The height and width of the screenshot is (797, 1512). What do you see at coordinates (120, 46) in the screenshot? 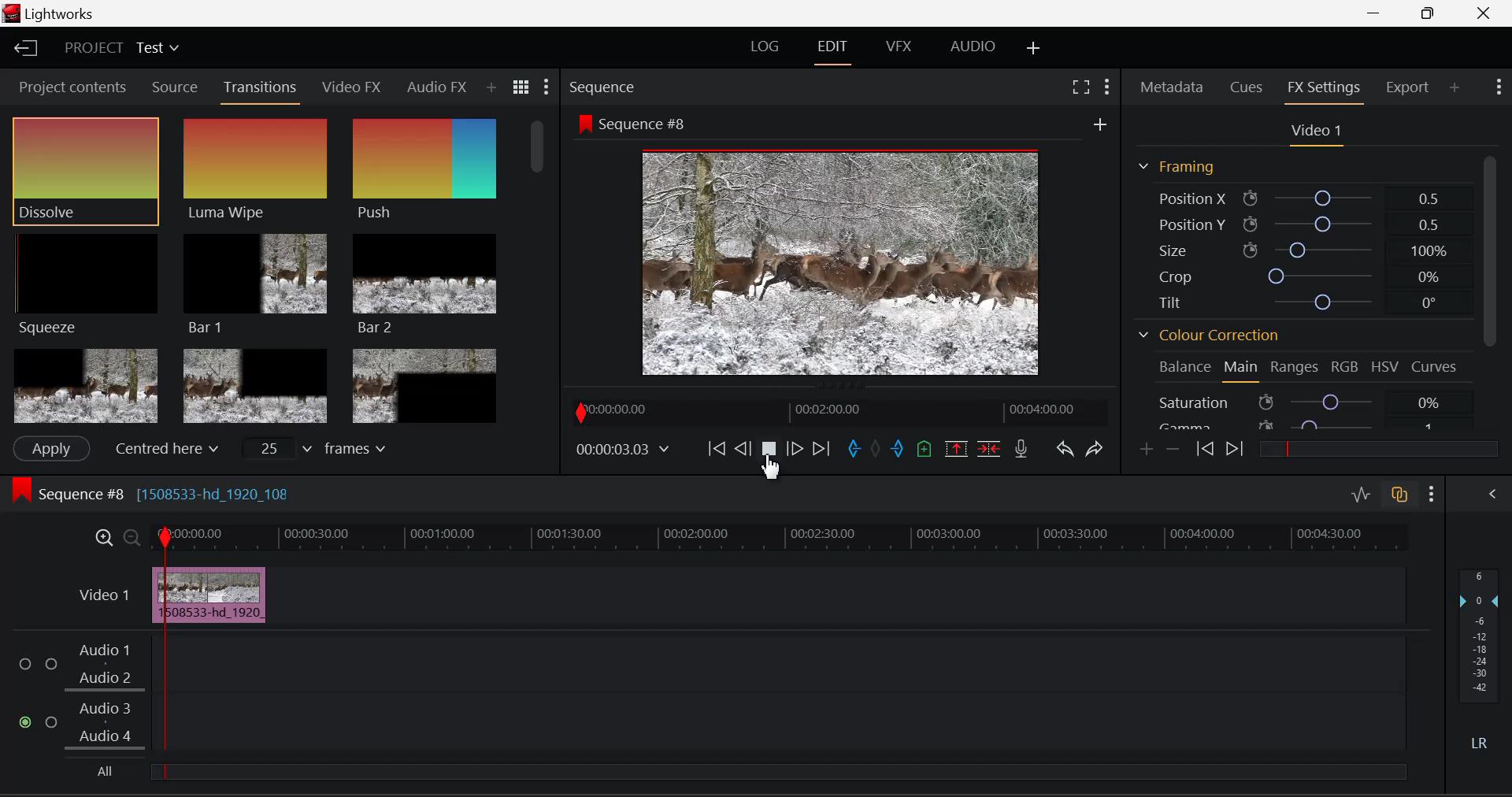
I see `Project Title` at bounding box center [120, 46].